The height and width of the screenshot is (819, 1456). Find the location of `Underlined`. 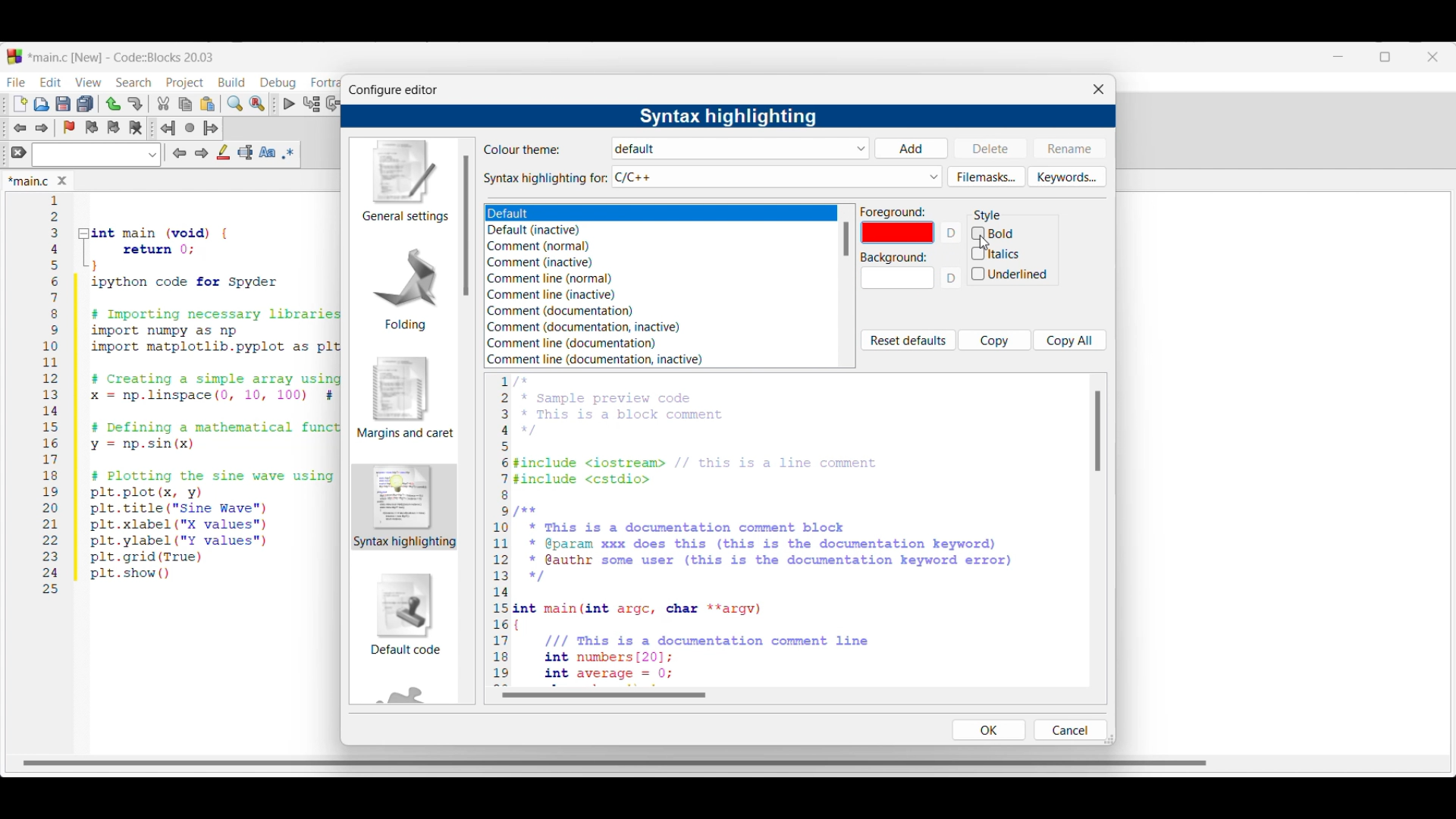

Underlined is located at coordinates (1012, 275).